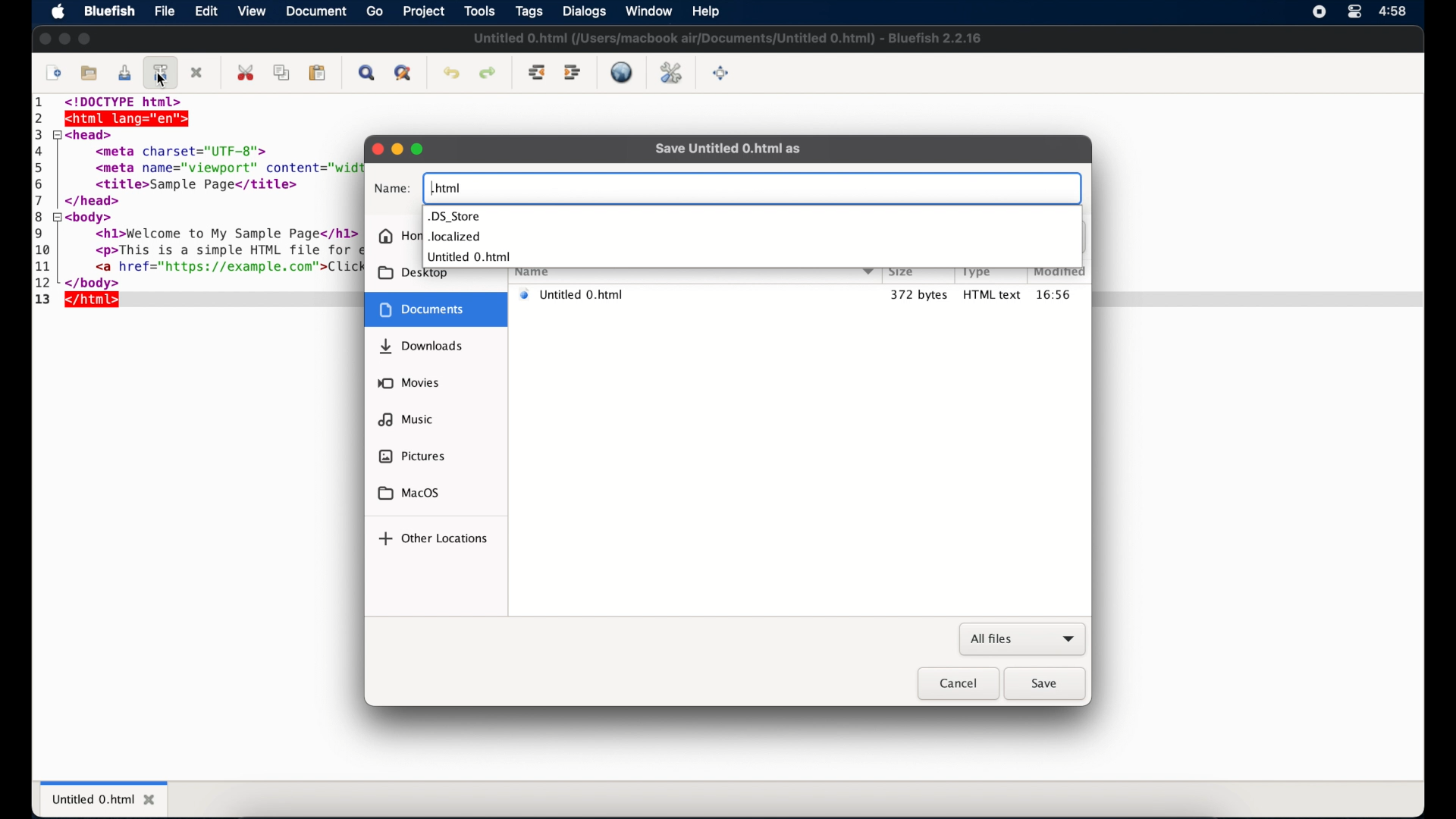 This screenshot has height=819, width=1456. What do you see at coordinates (977, 272) in the screenshot?
I see `type` at bounding box center [977, 272].